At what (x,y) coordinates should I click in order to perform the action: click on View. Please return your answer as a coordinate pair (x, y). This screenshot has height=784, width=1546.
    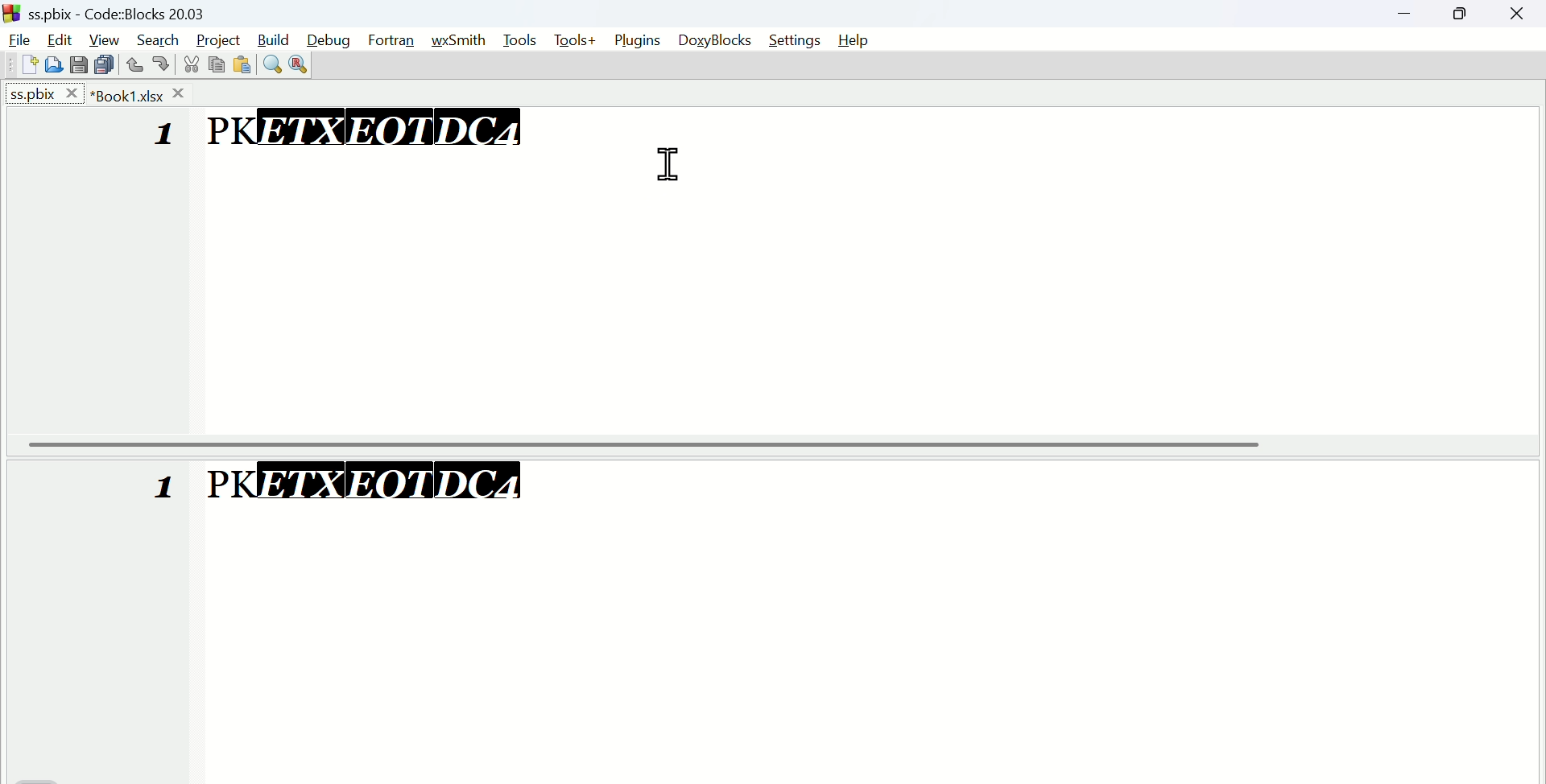
    Looking at the image, I should click on (105, 38).